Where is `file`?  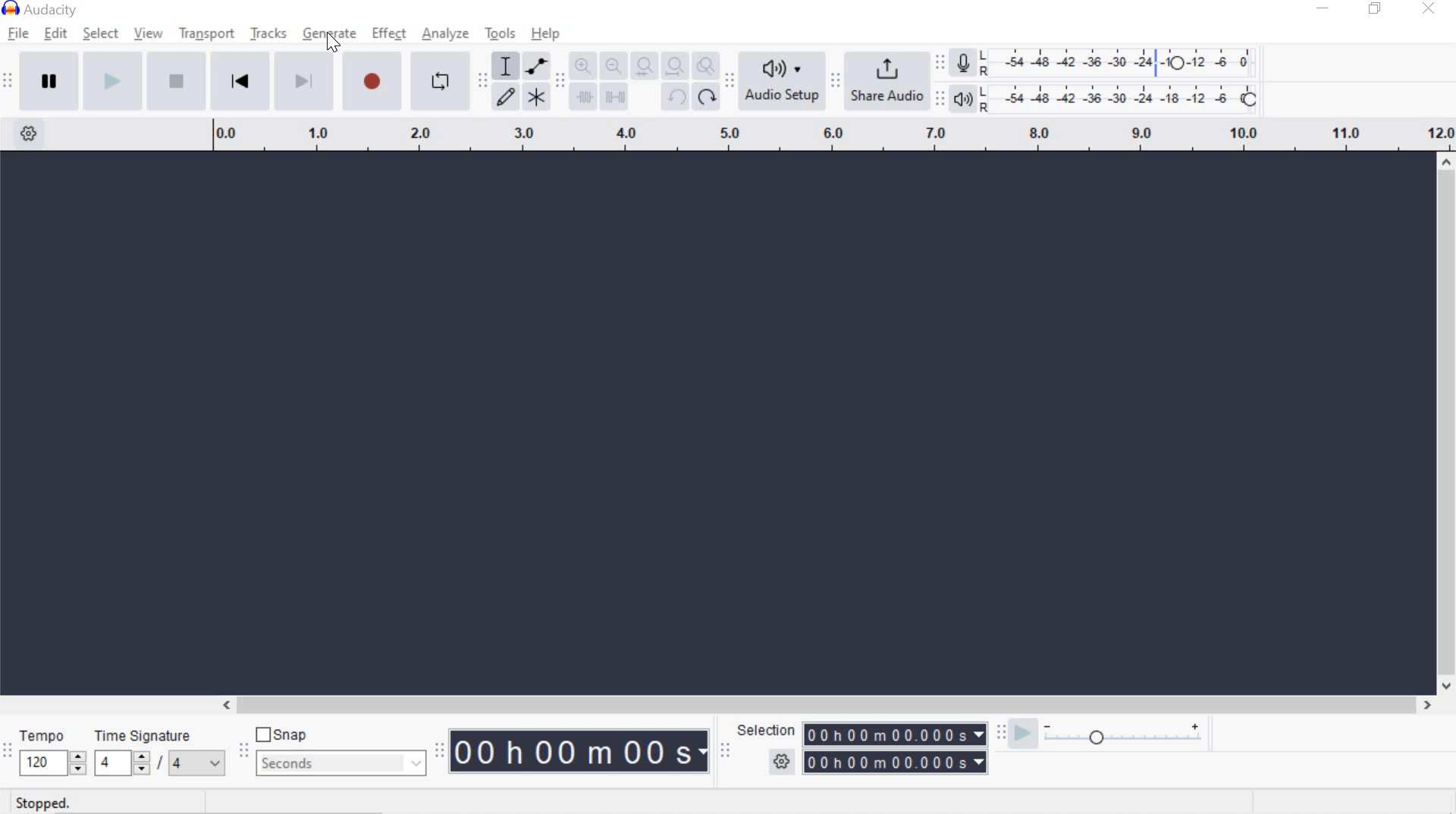 file is located at coordinates (17, 34).